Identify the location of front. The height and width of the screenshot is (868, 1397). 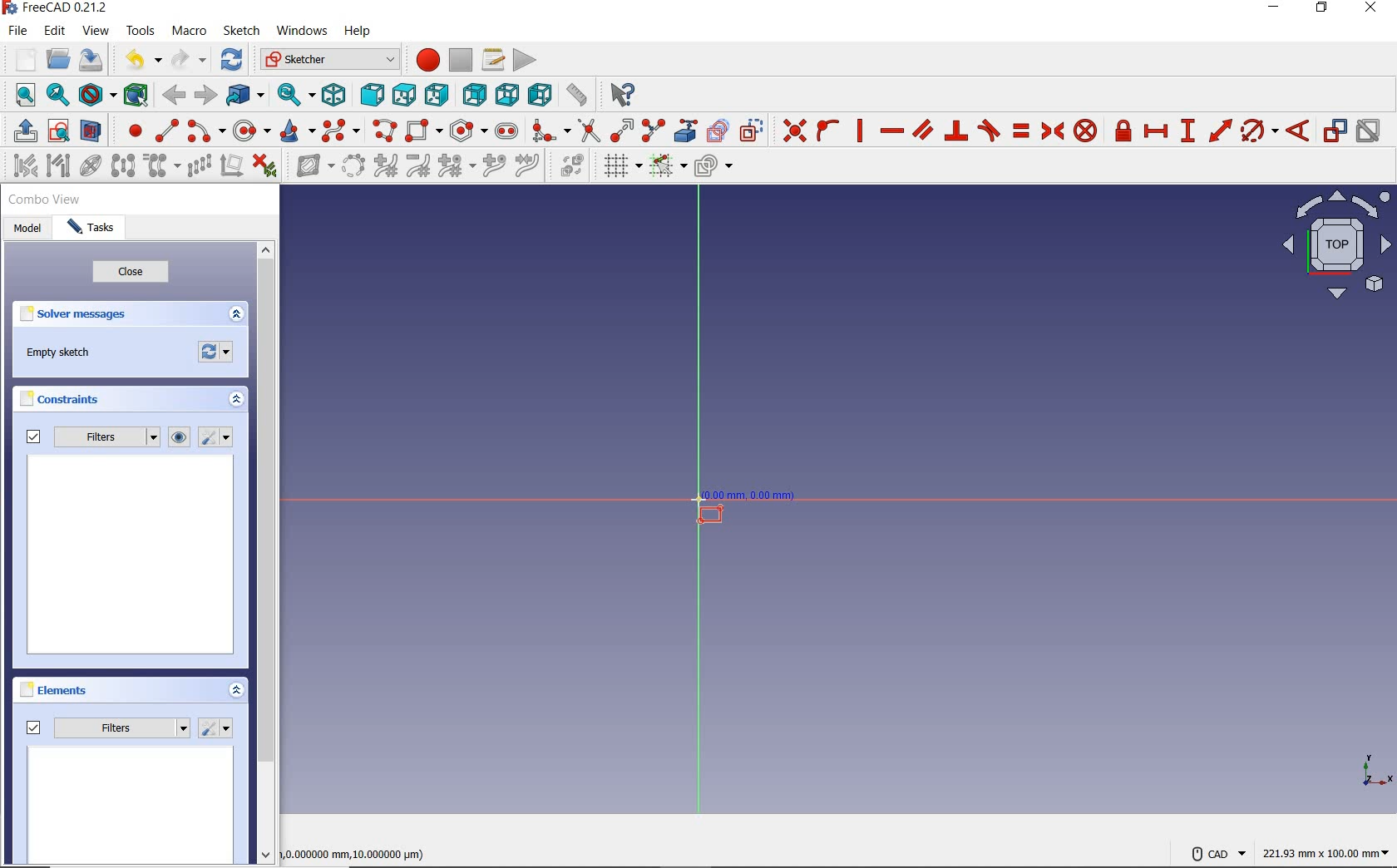
(370, 96).